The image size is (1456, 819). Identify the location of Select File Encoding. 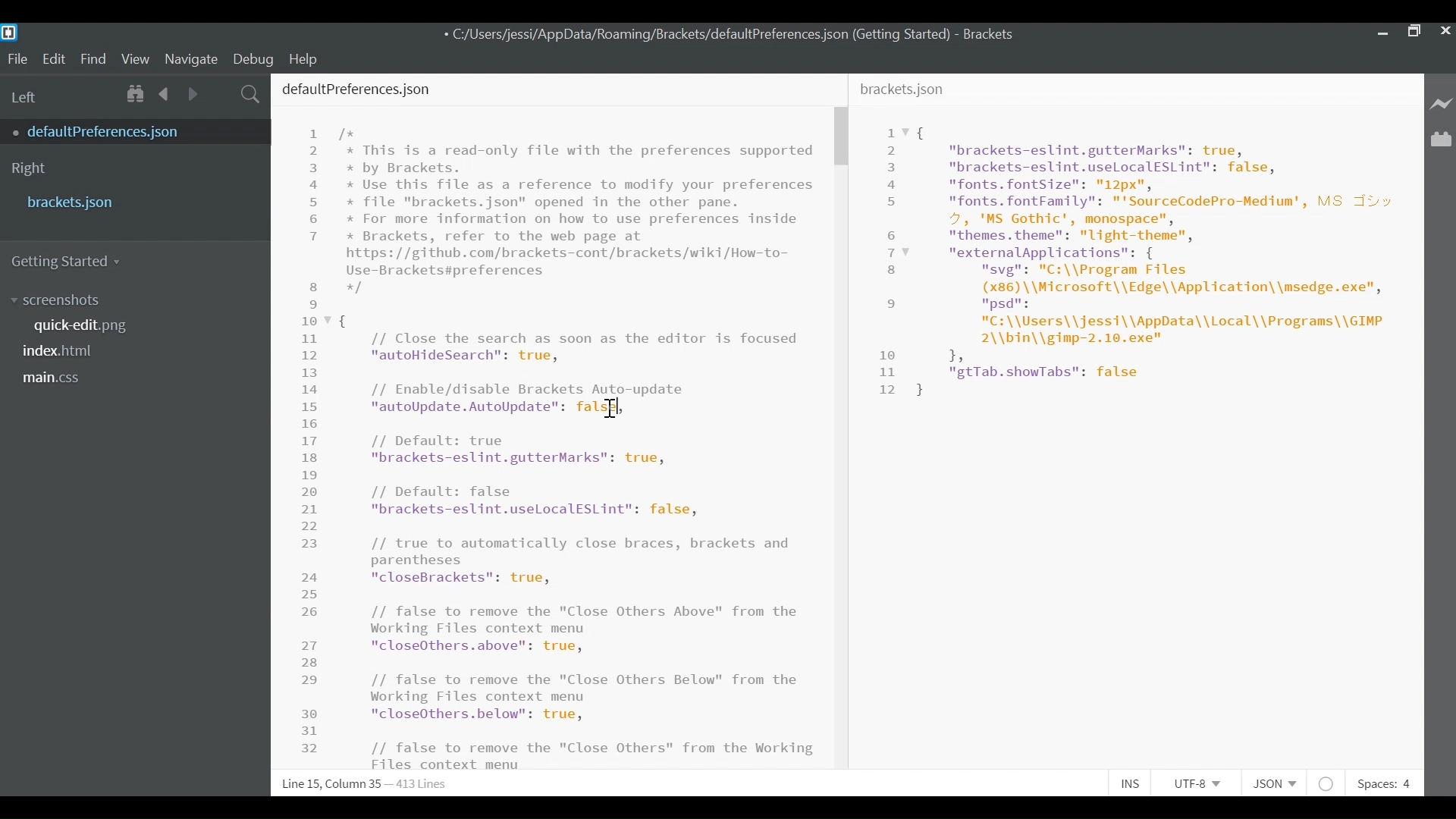
(1197, 786).